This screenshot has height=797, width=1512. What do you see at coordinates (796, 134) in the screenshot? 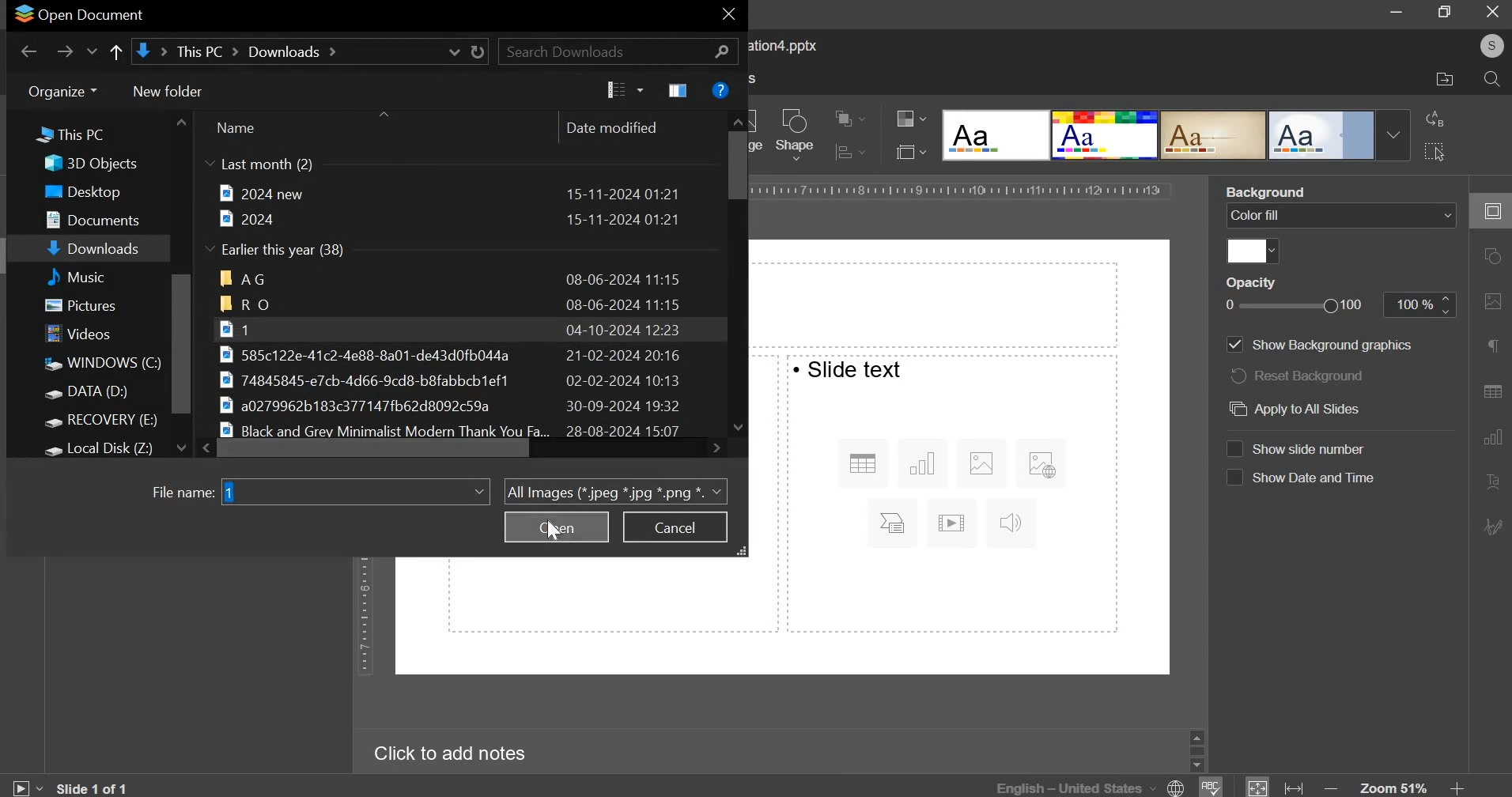
I see `shape` at bounding box center [796, 134].